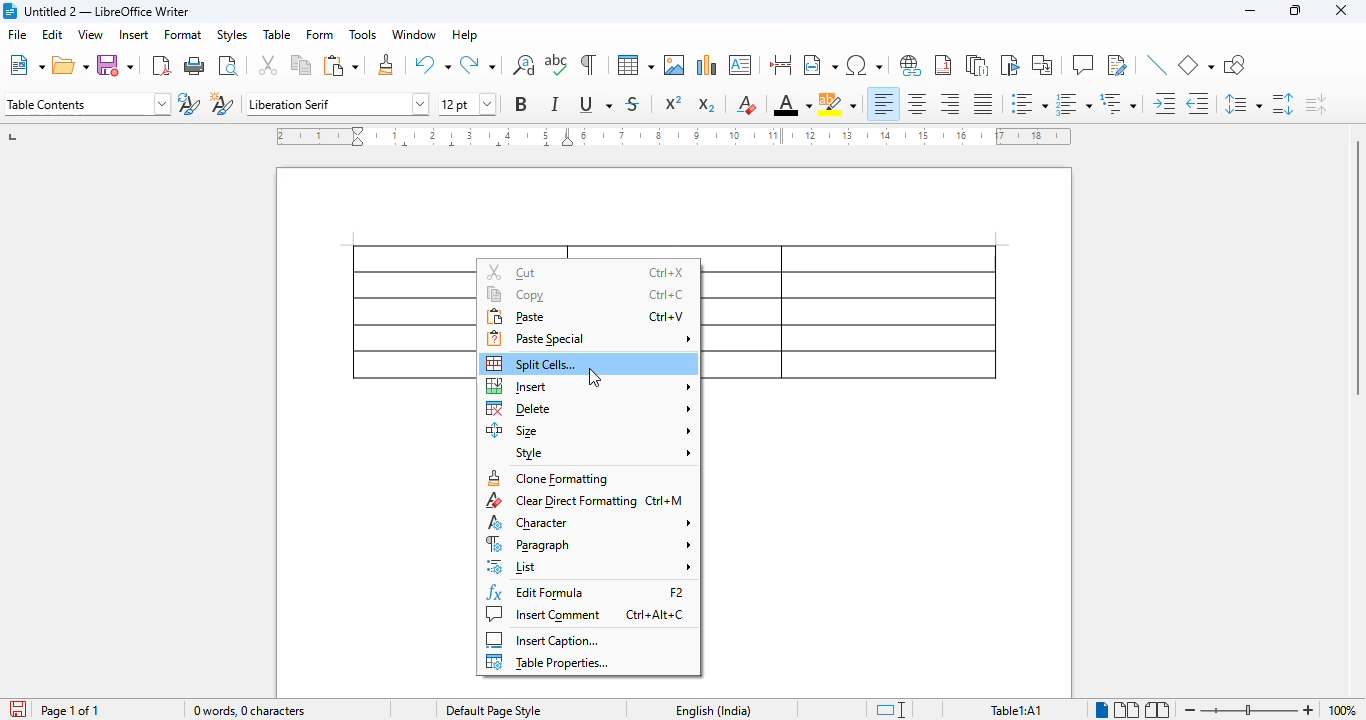 The width and height of the screenshot is (1366, 720). Describe the element at coordinates (70, 710) in the screenshot. I see `page 1 of 1` at that location.